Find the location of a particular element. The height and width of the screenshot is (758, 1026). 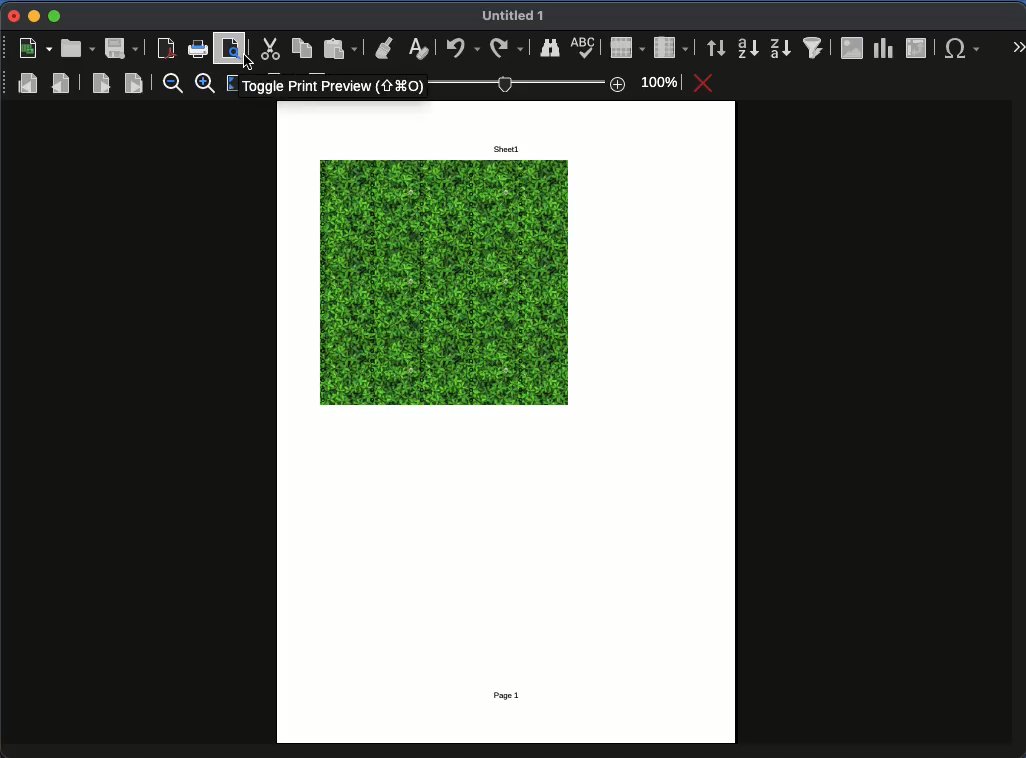

paste is located at coordinates (341, 47).